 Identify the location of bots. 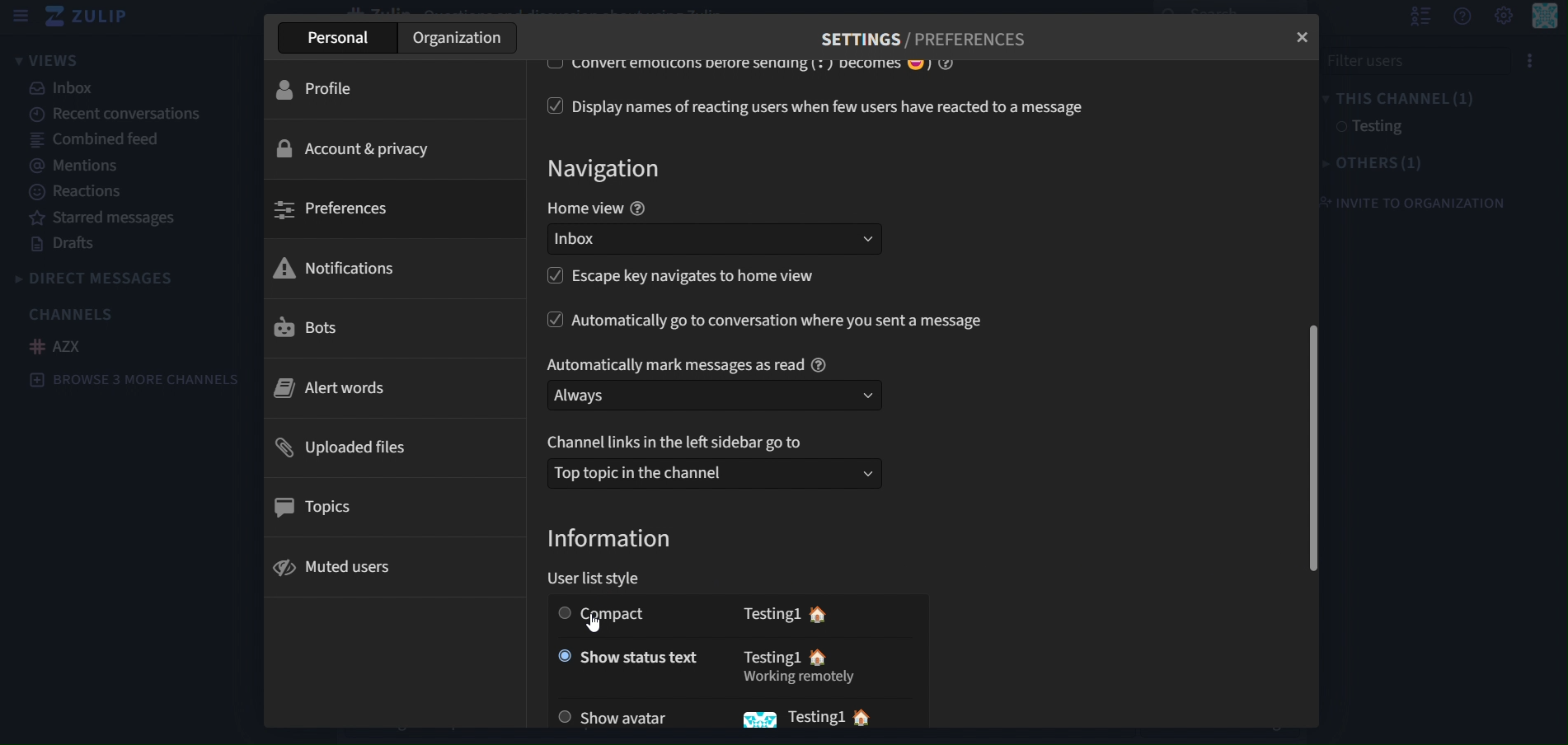
(307, 329).